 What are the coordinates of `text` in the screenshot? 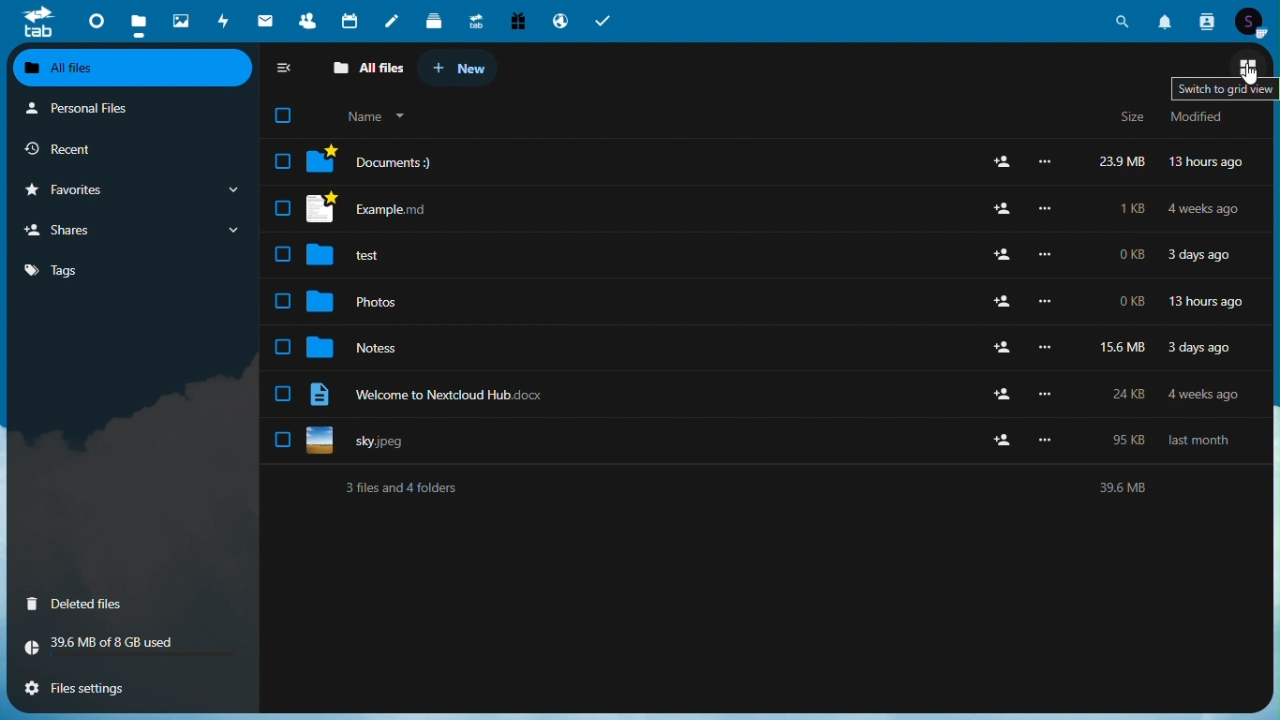 It's located at (778, 489).